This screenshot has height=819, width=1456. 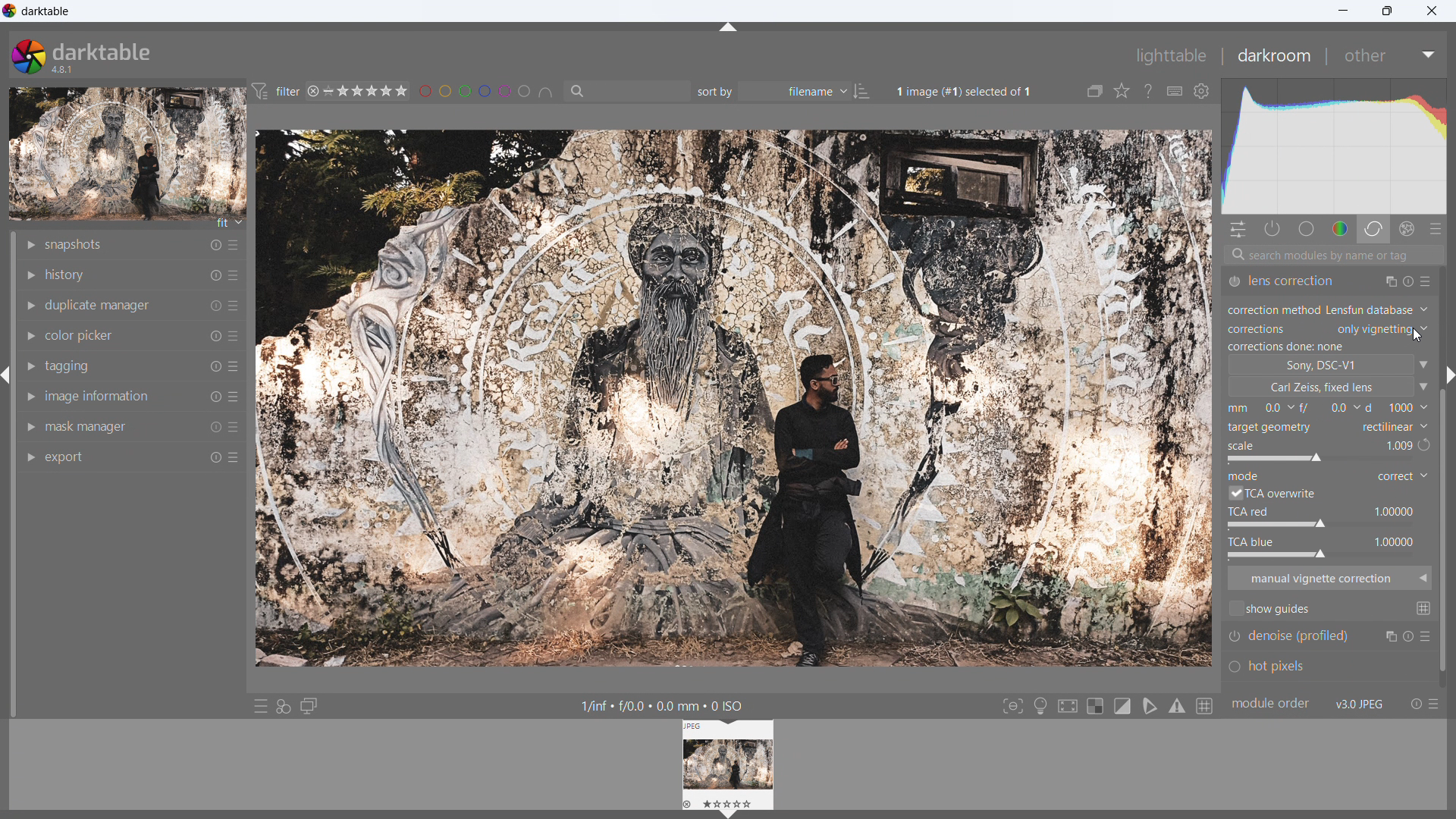 What do you see at coordinates (1416, 334) in the screenshot?
I see `cursor` at bounding box center [1416, 334].